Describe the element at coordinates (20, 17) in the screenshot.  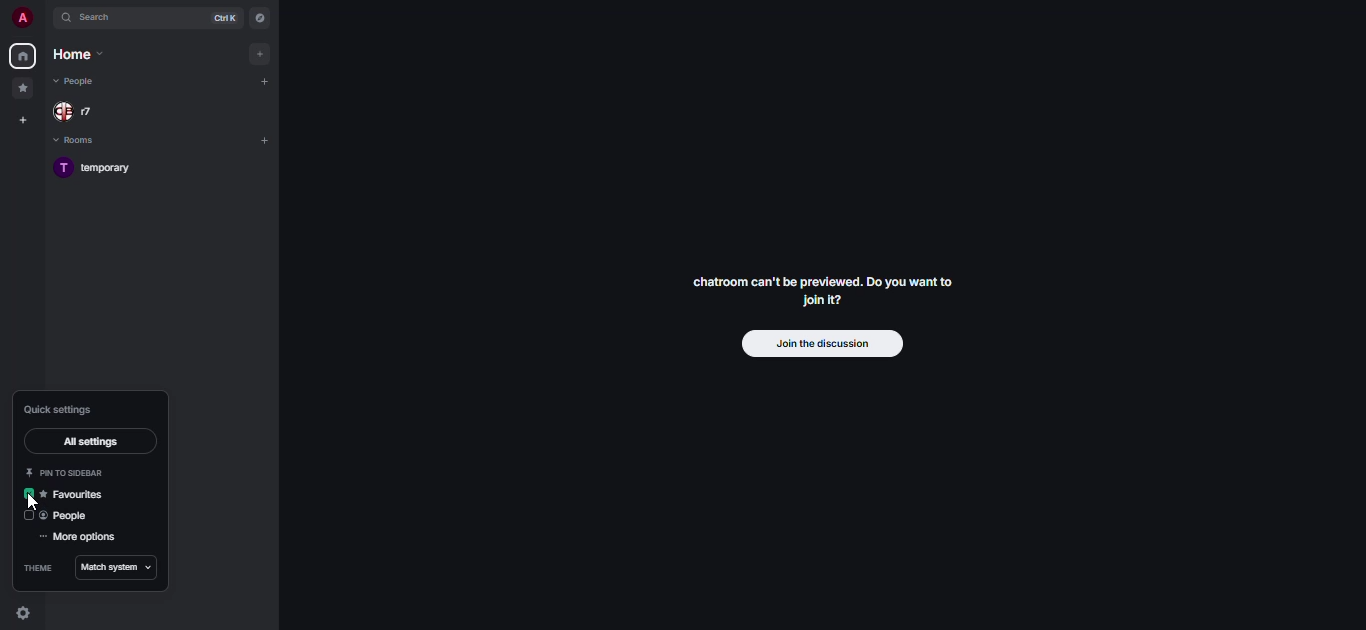
I see `profile` at that location.